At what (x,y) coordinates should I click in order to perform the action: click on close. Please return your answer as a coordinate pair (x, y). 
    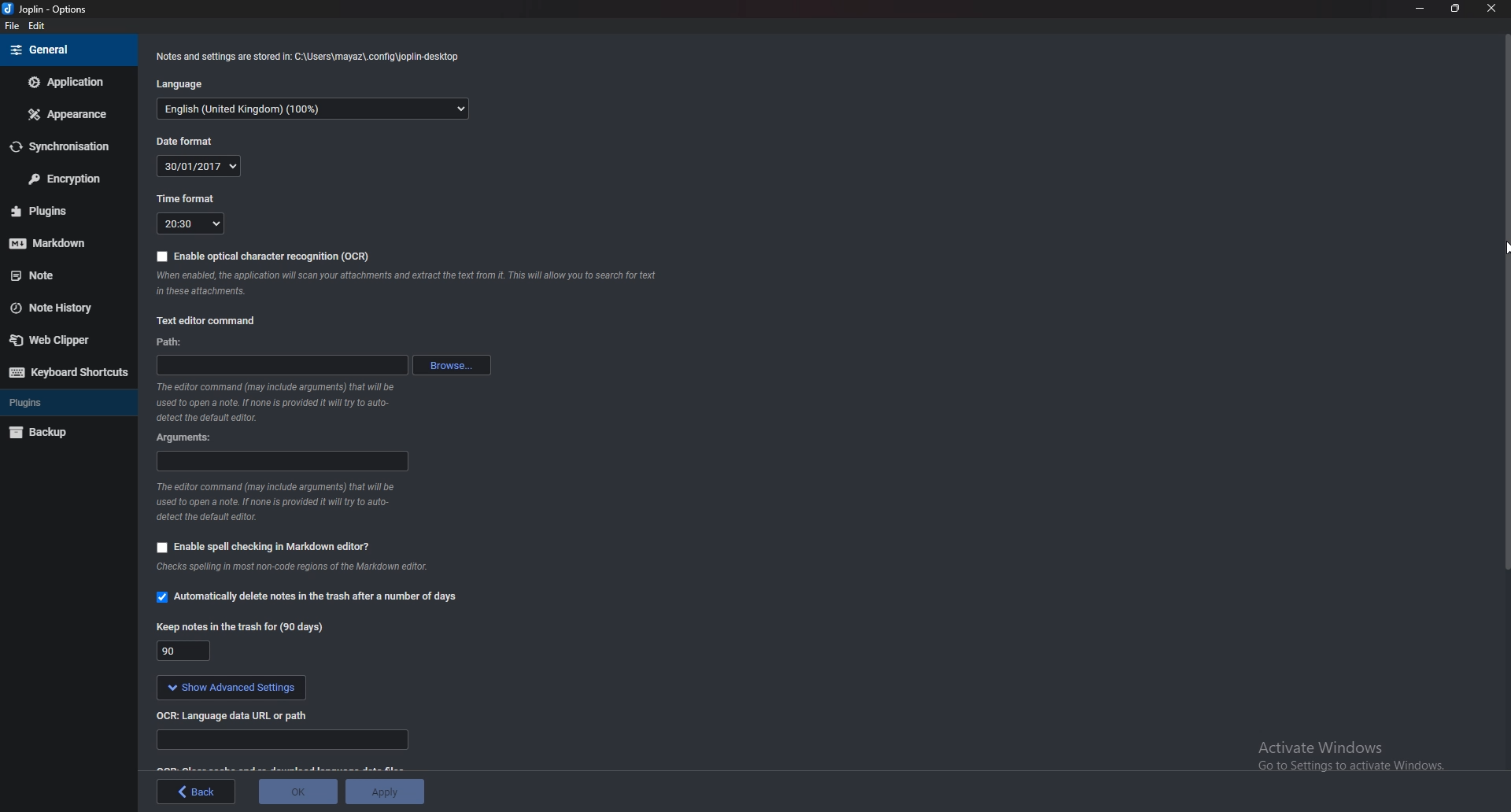
    Looking at the image, I should click on (1490, 9).